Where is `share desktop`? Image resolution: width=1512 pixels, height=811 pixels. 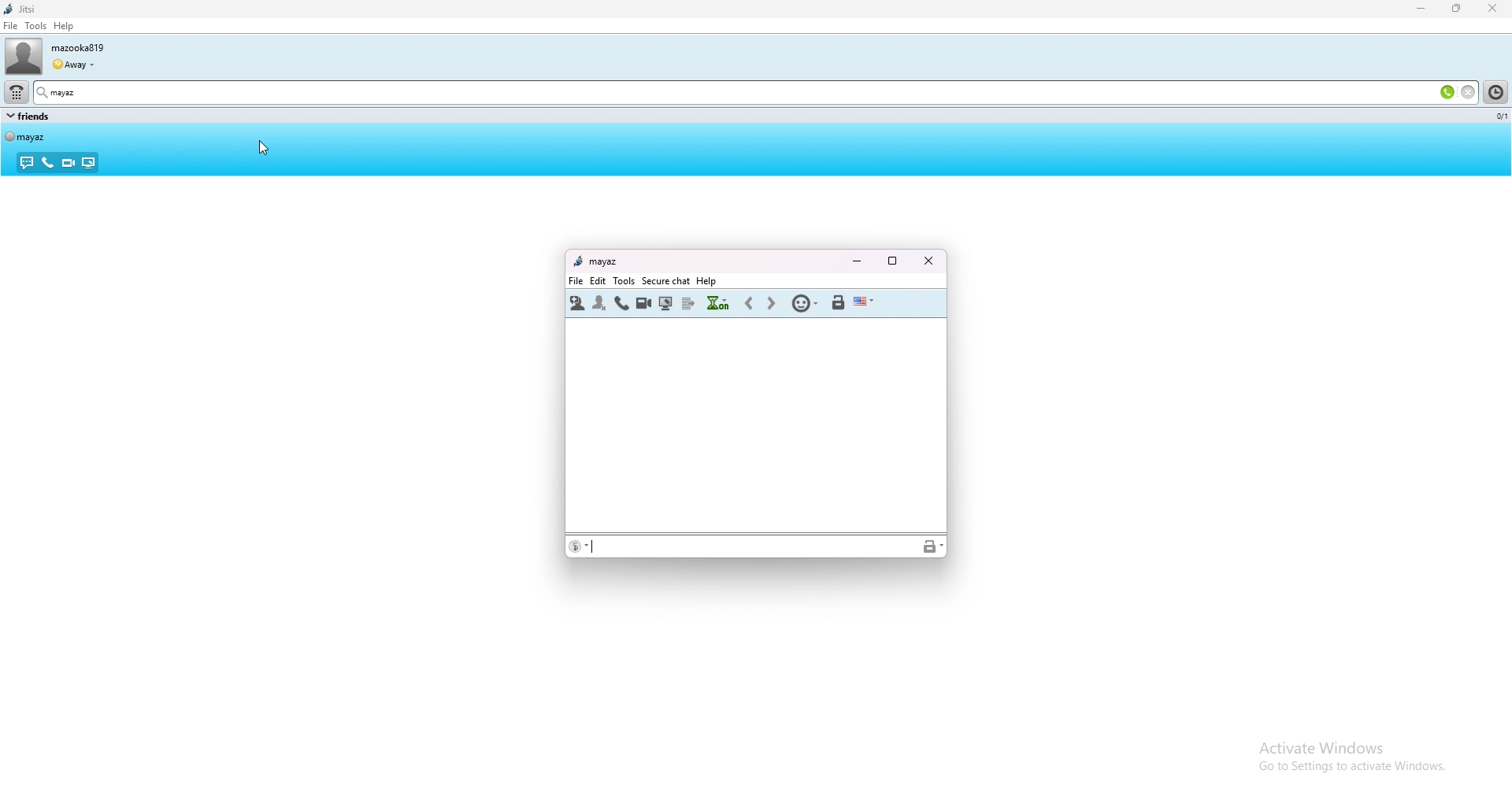
share desktop is located at coordinates (88, 163).